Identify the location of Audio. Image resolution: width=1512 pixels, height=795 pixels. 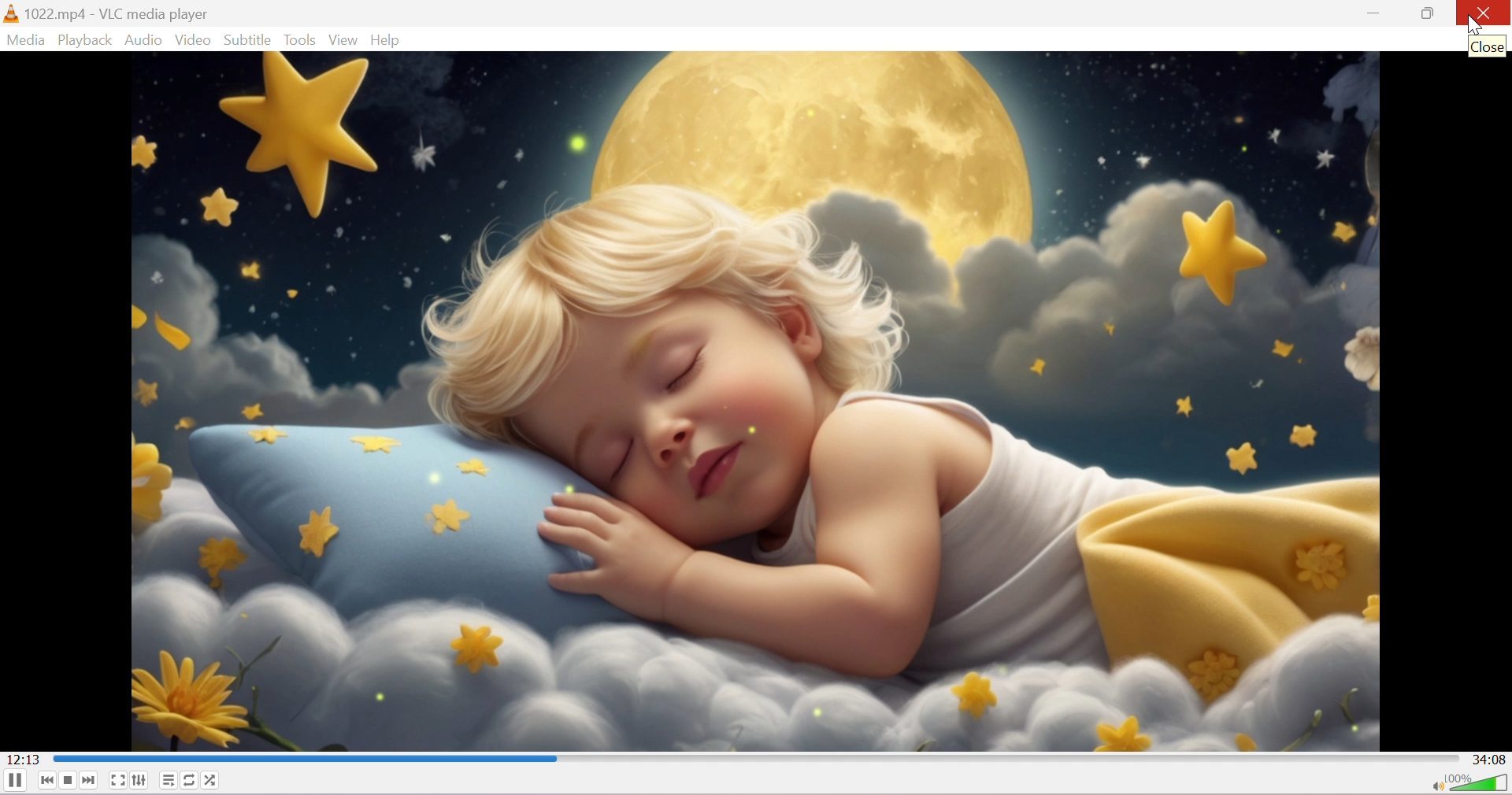
(146, 41).